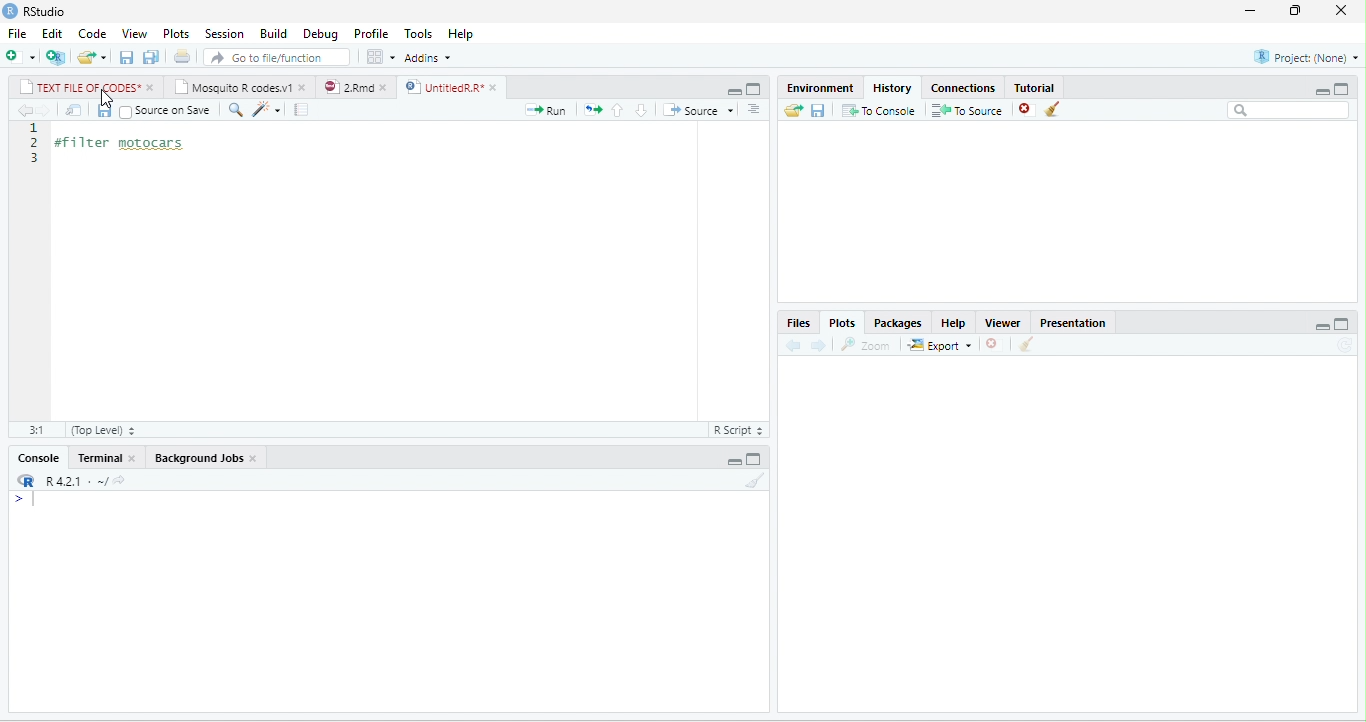  What do you see at coordinates (545, 110) in the screenshot?
I see `Run` at bounding box center [545, 110].